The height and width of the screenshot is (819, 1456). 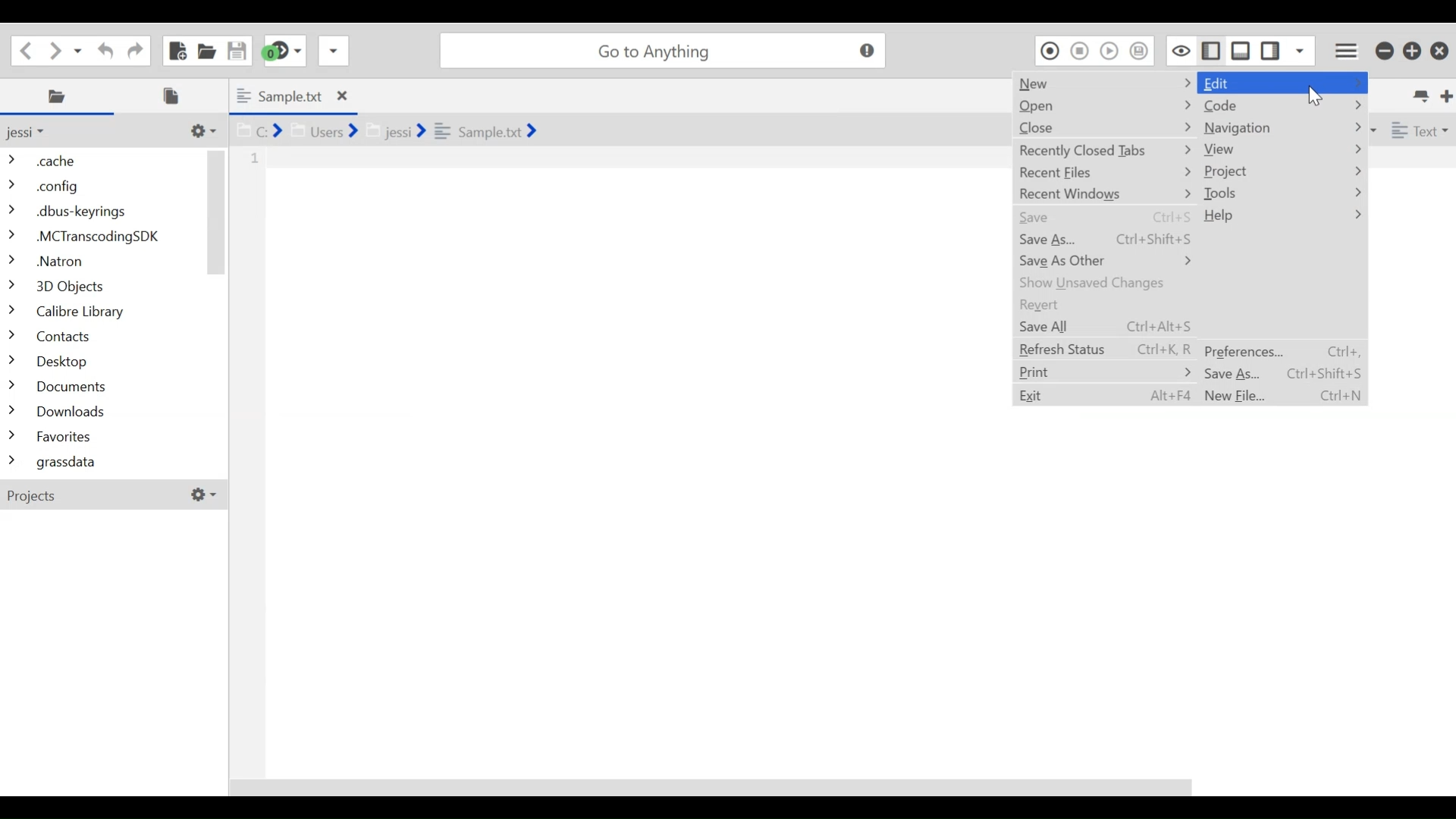 I want to click on Save Macro as Toolbox as Superscript, so click(x=1141, y=50).